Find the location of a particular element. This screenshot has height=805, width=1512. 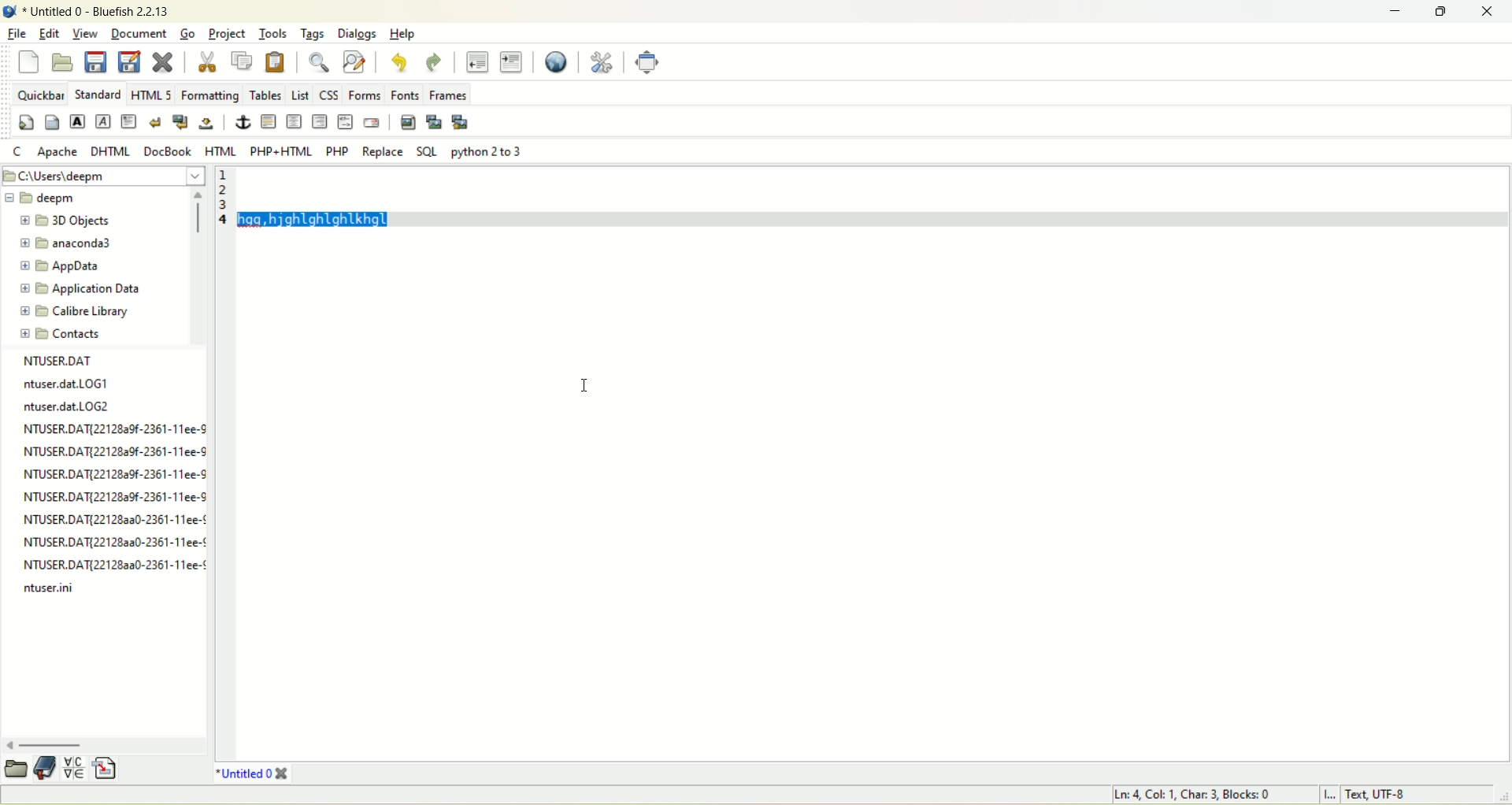

fullscreen is located at coordinates (647, 61).